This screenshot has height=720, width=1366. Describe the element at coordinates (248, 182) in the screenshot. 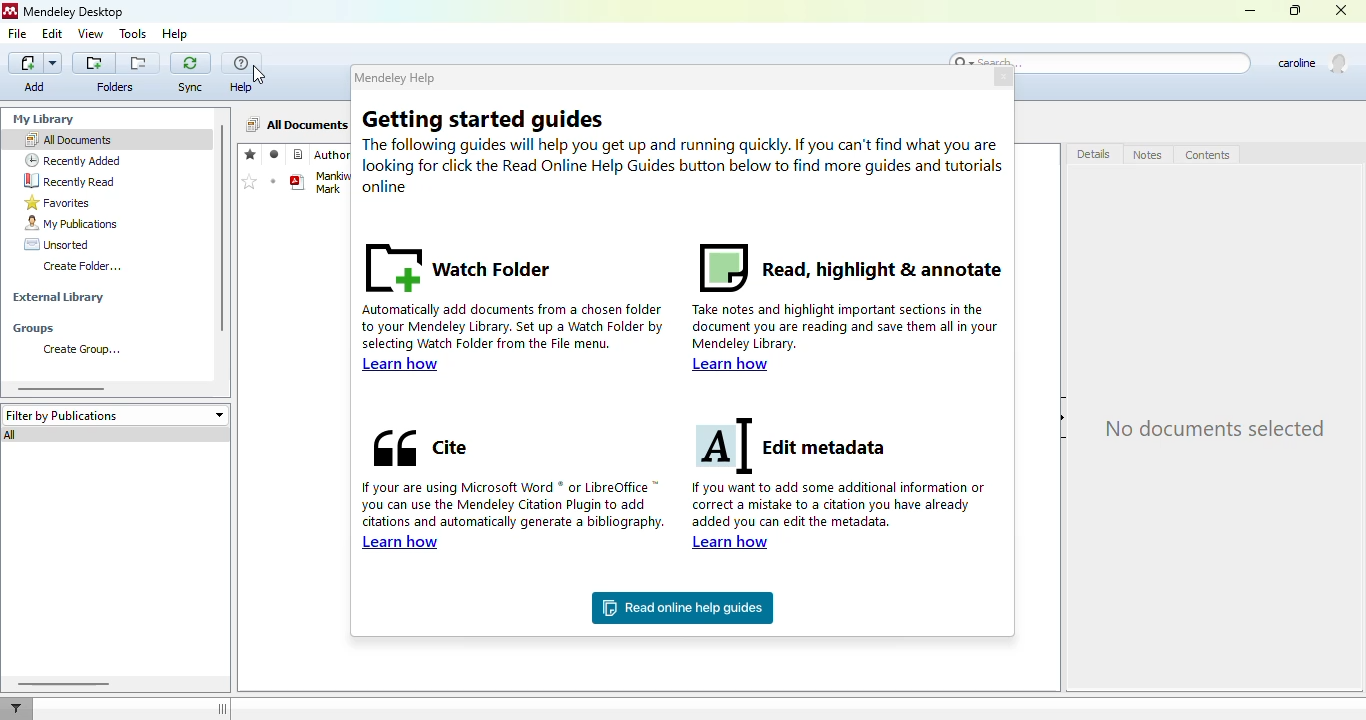

I see `mark as favorites` at that location.